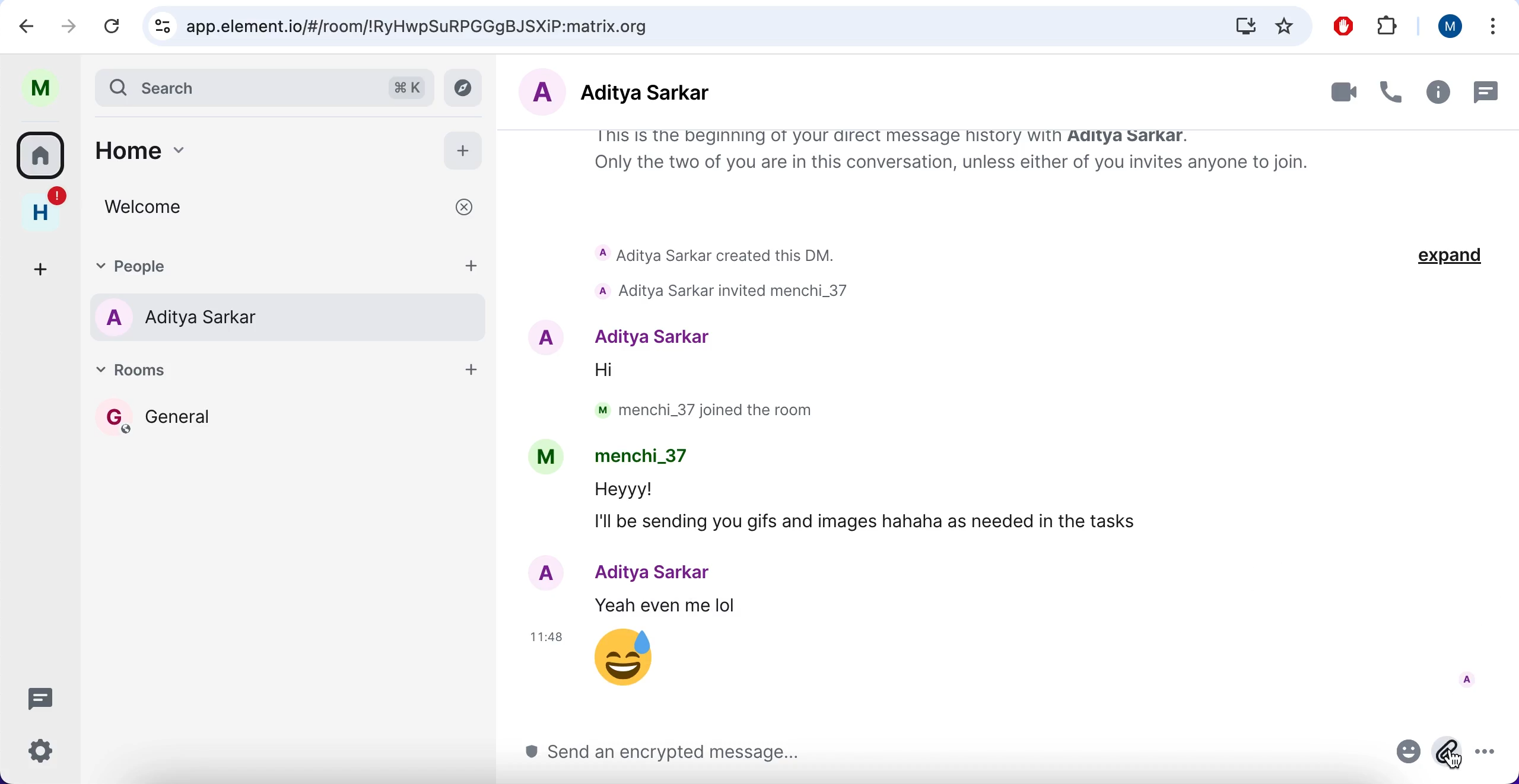 The image size is (1519, 784). What do you see at coordinates (32, 26) in the screenshot?
I see `undo` at bounding box center [32, 26].